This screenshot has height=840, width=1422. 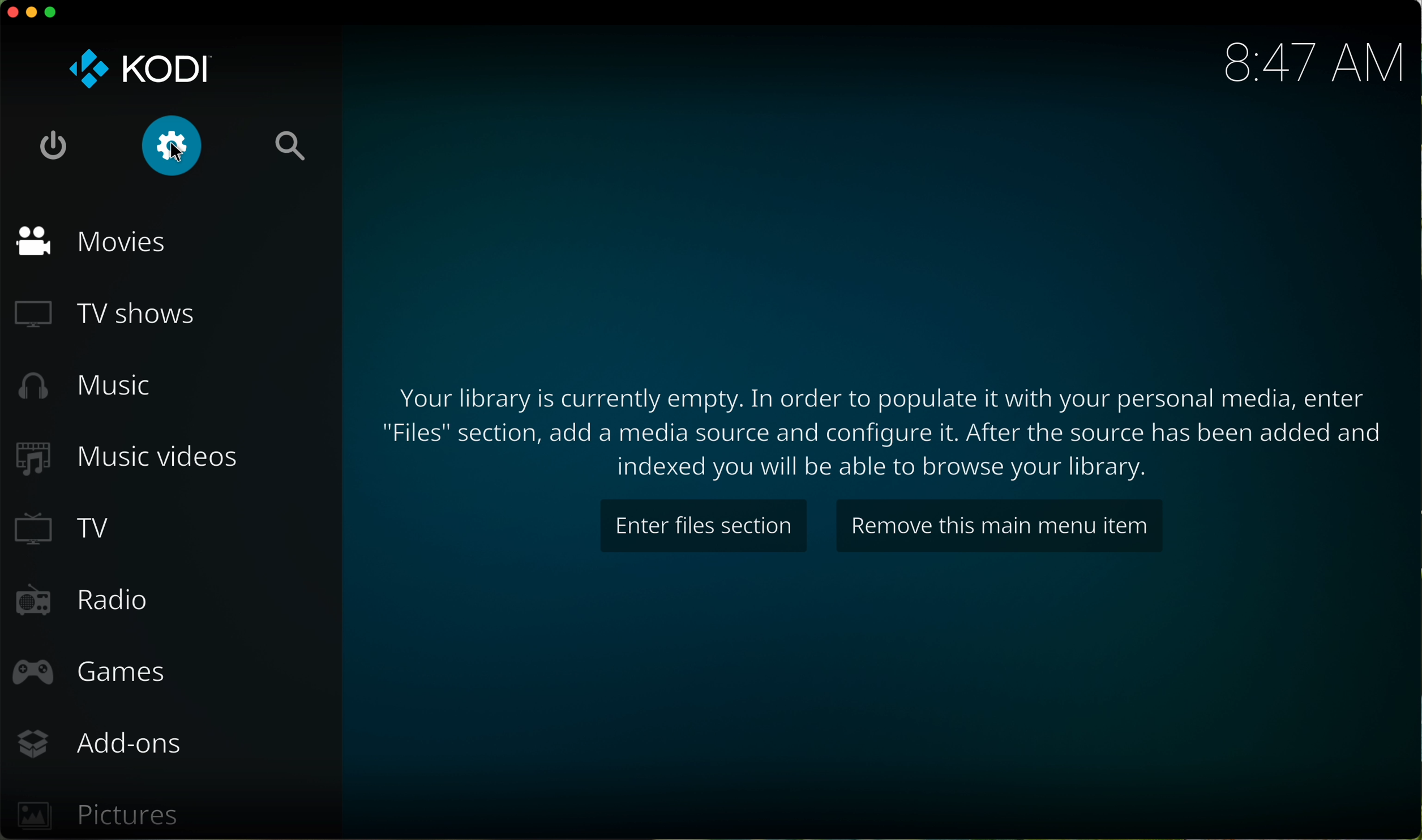 What do you see at coordinates (11, 13) in the screenshot?
I see `close program` at bounding box center [11, 13].